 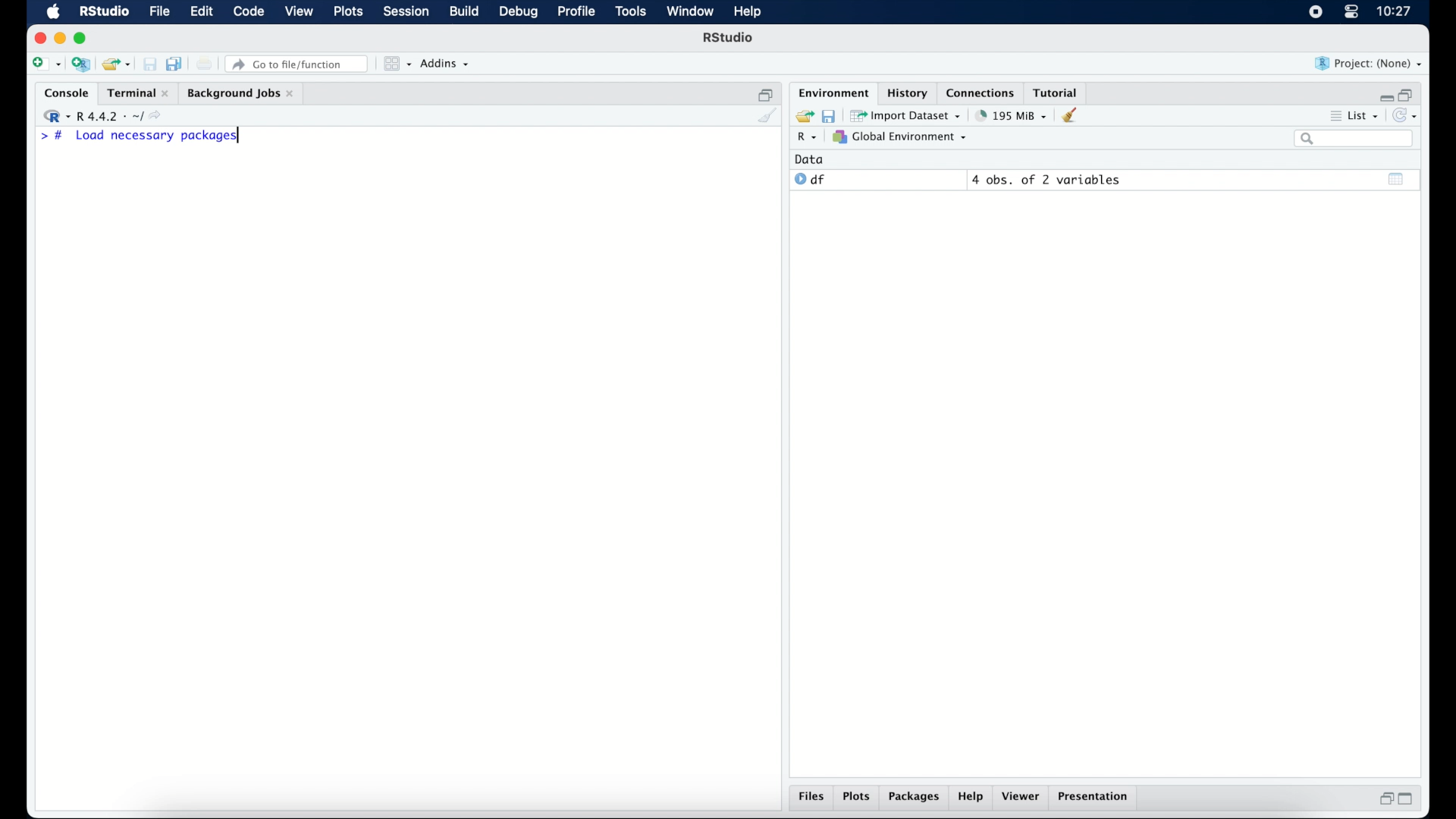 What do you see at coordinates (831, 92) in the screenshot?
I see `environment` at bounding box center [831, 92].